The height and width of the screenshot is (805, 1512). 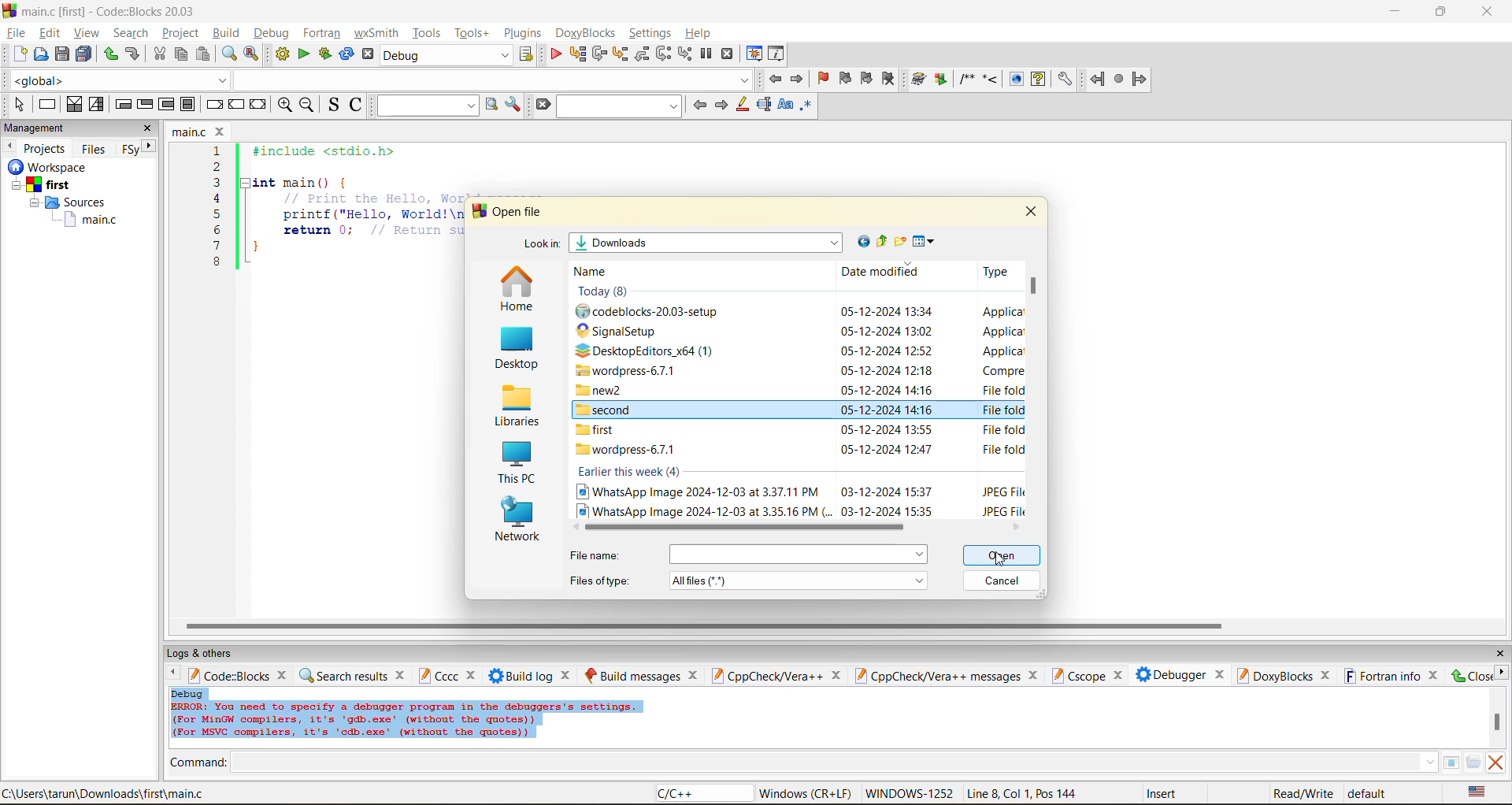 I want to click on minimize, so click(x=1396, y=12).